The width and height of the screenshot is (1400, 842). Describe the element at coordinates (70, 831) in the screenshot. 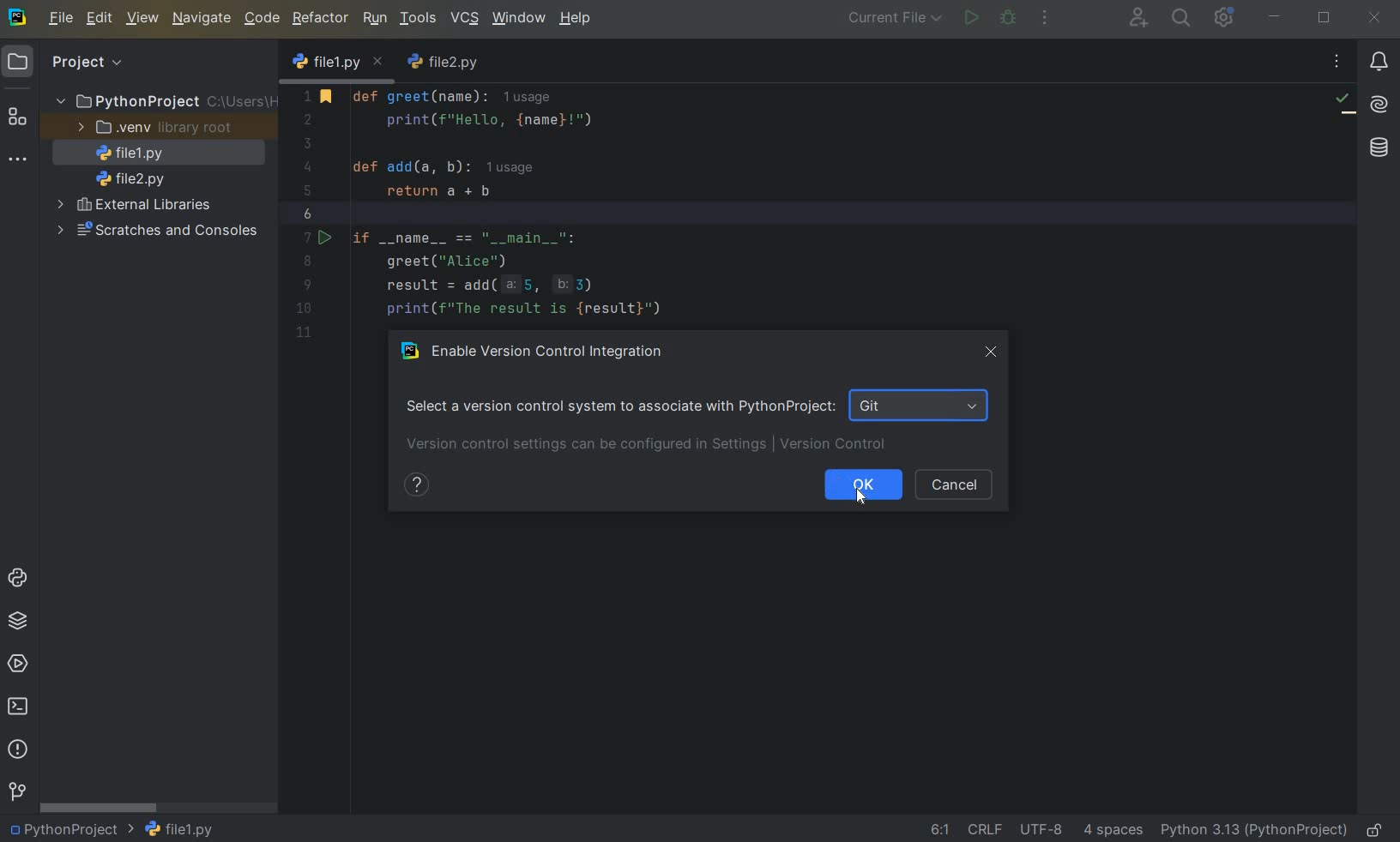

I see `project name` at that location.